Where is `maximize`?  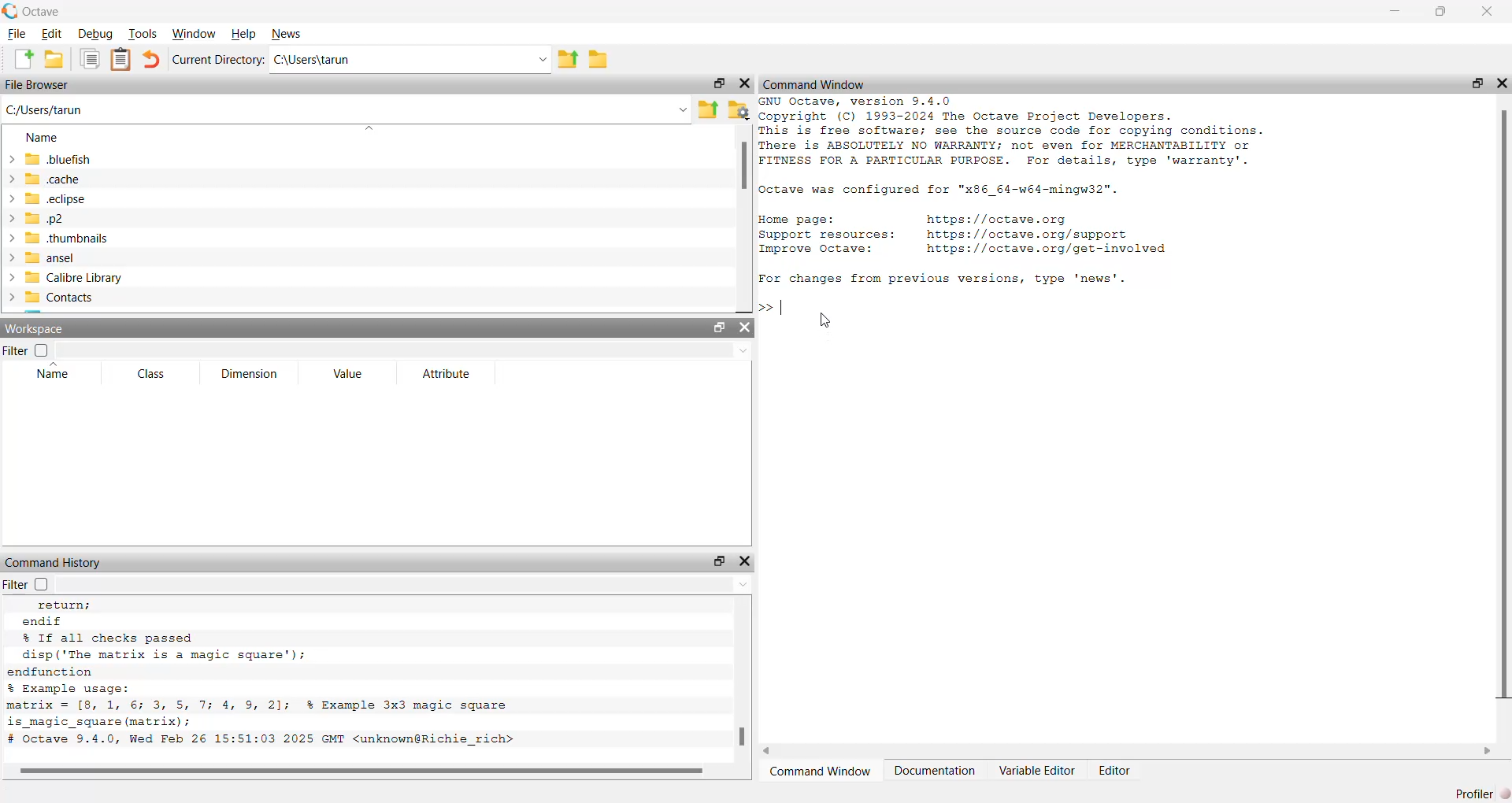 maximize is located at coordinates (720, 329).